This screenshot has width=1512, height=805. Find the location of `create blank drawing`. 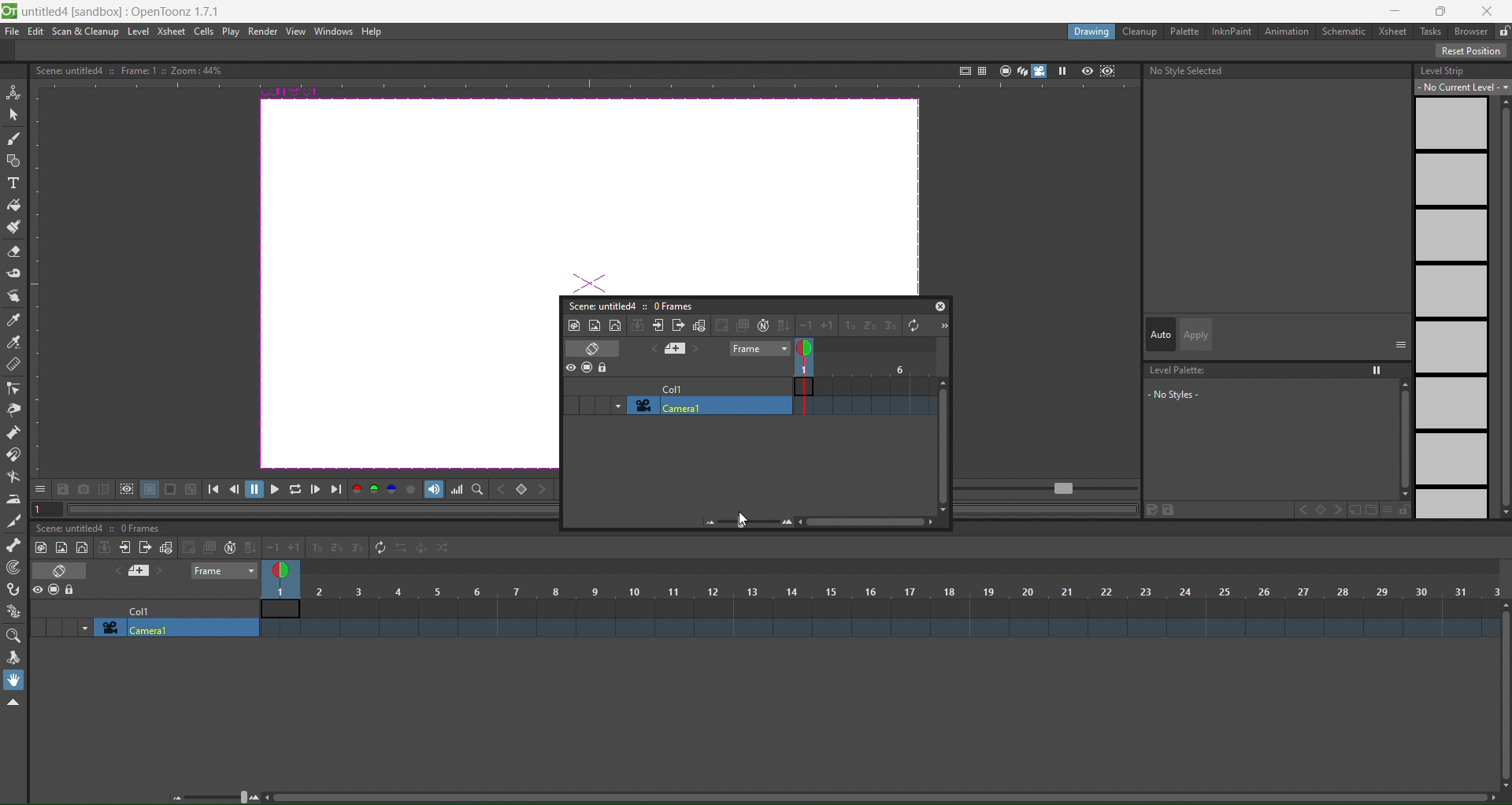

create blank drawing is located at coordinates (198, 547).